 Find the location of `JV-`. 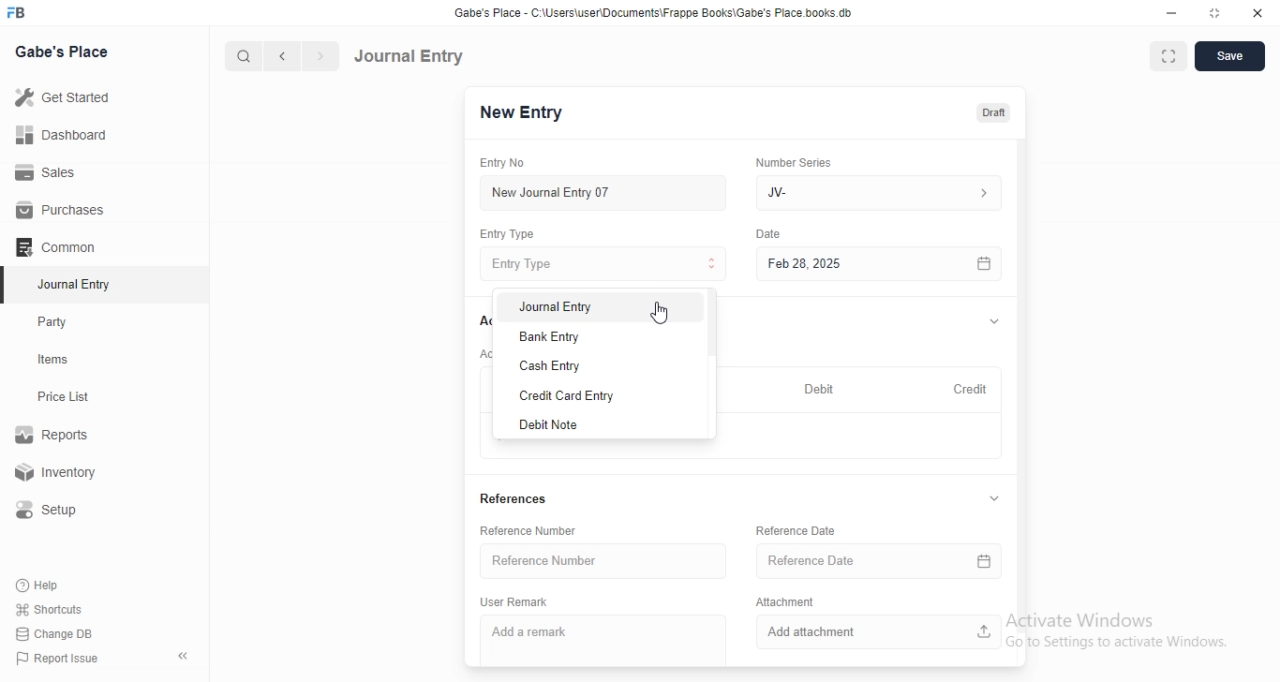

JV- is located at coordinates (883, 193).